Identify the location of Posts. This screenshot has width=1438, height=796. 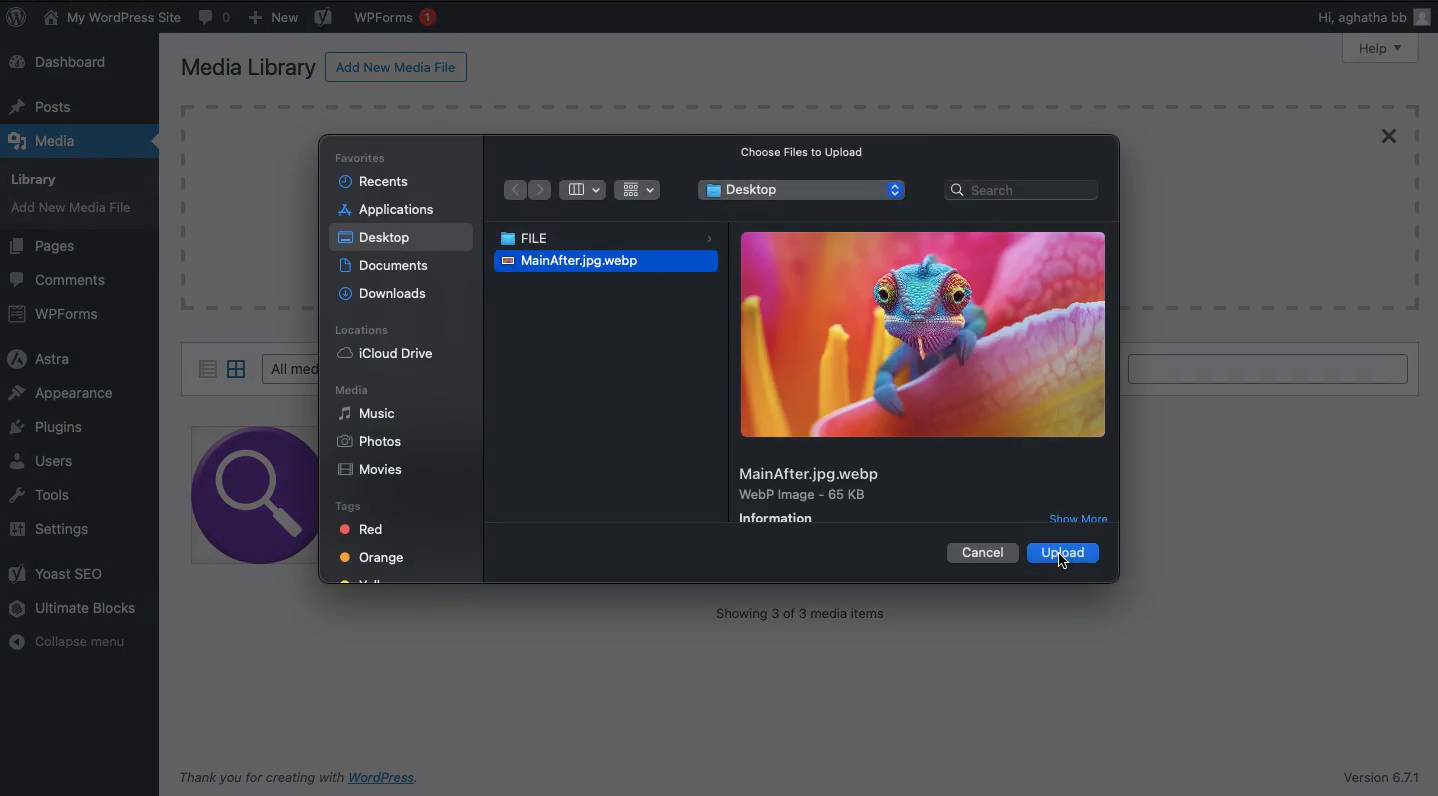
(47, 102).